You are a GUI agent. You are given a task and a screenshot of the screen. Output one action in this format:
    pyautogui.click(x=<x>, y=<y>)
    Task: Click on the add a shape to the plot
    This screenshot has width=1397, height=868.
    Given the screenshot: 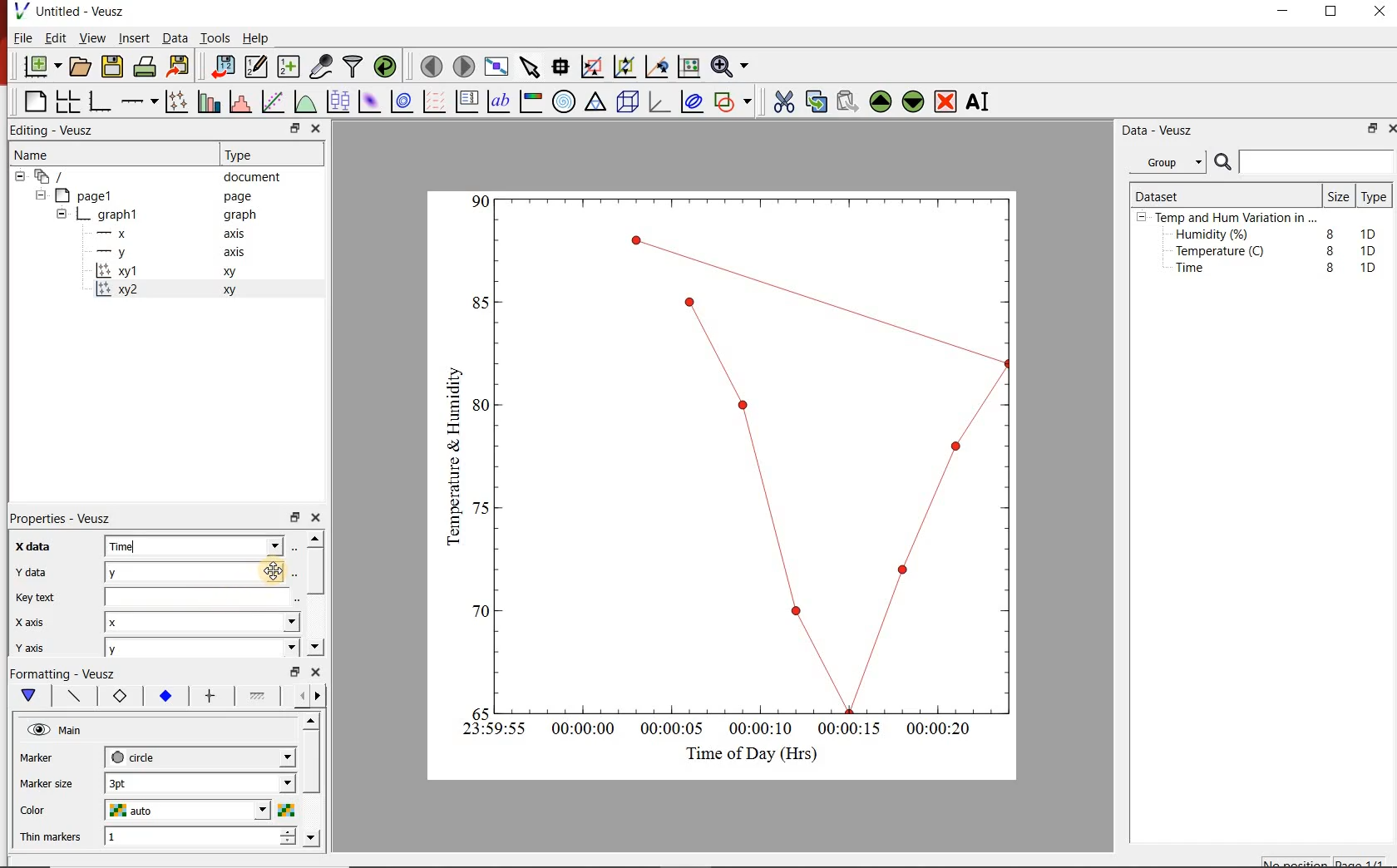 What is the action you would take?
    pyautogui.click(x=737, y=104)
    